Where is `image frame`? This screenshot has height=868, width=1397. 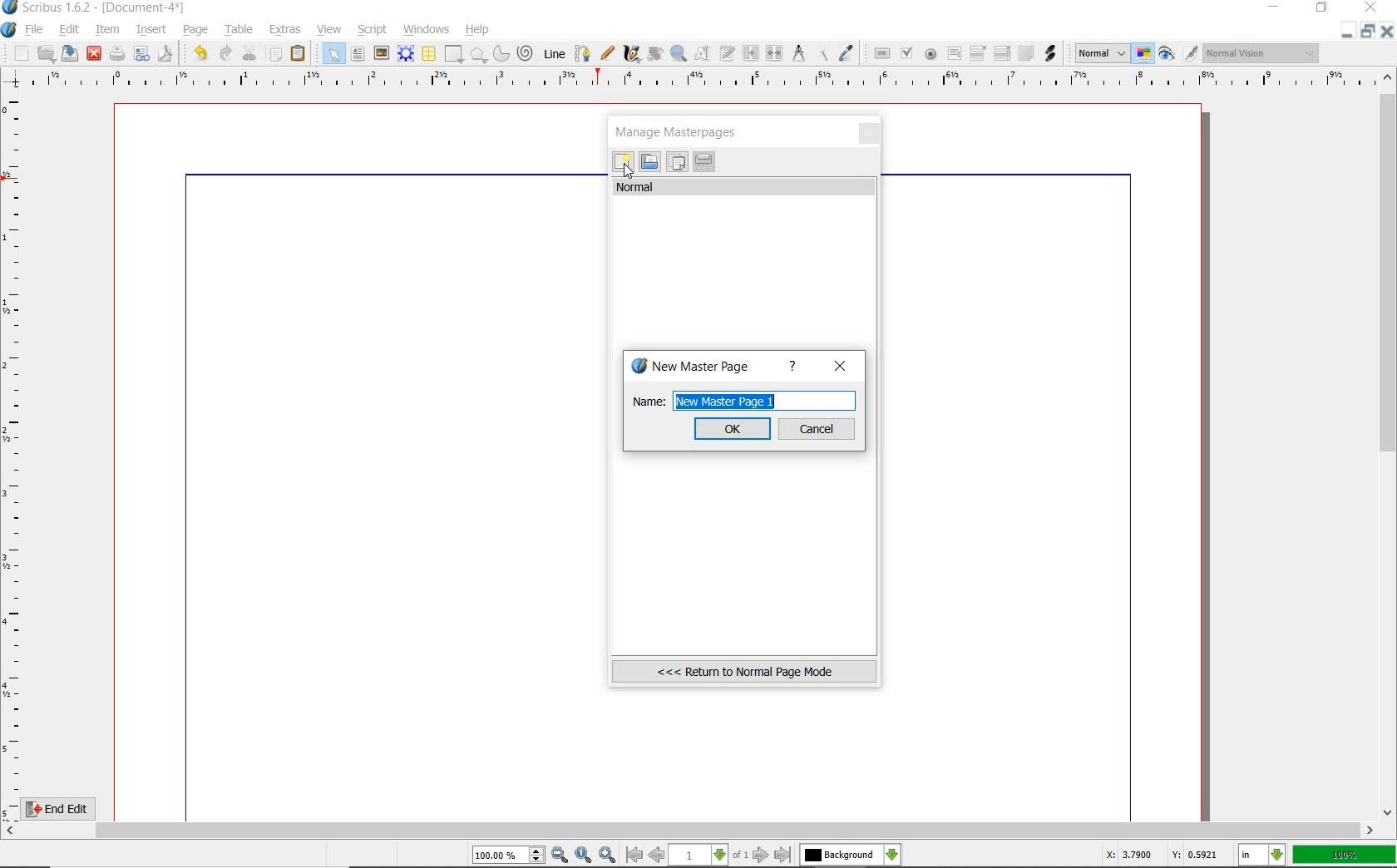 image frame is located at coordinates (382, 53).